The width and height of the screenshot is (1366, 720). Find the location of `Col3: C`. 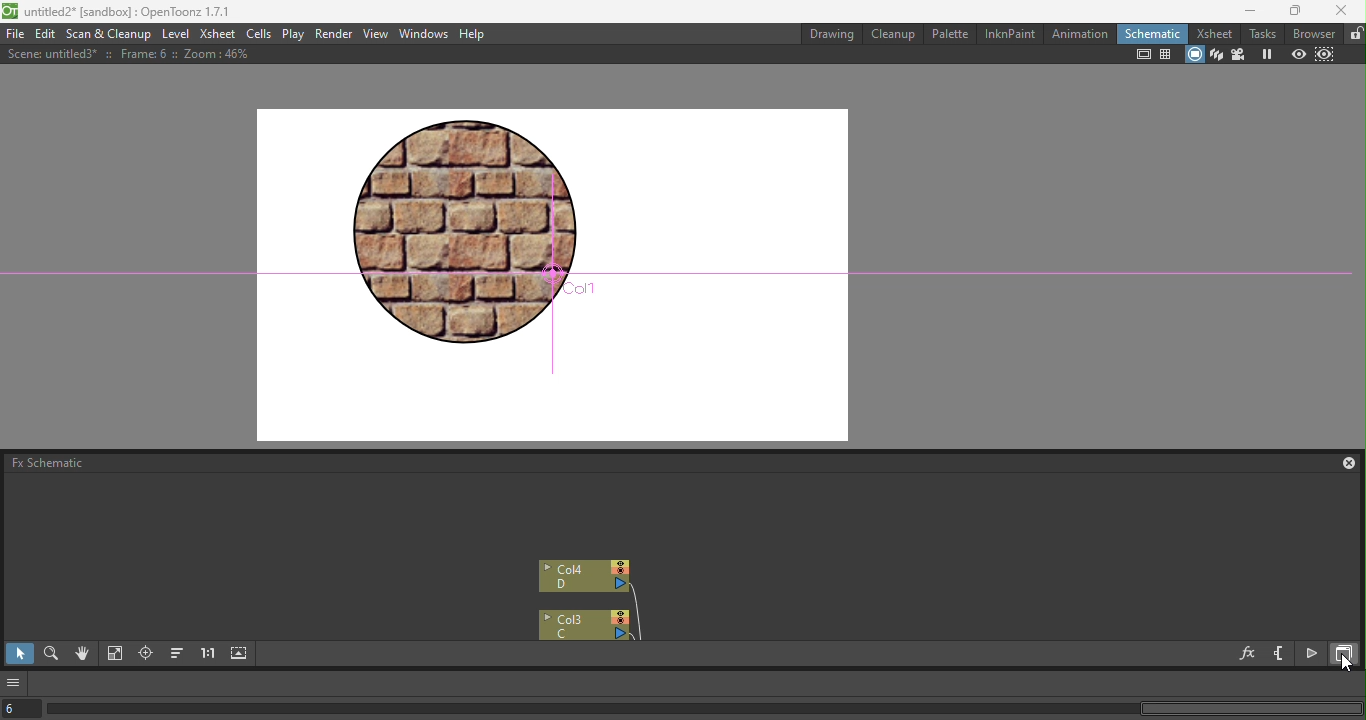

Col3: C is located at coordinates (582, 625).